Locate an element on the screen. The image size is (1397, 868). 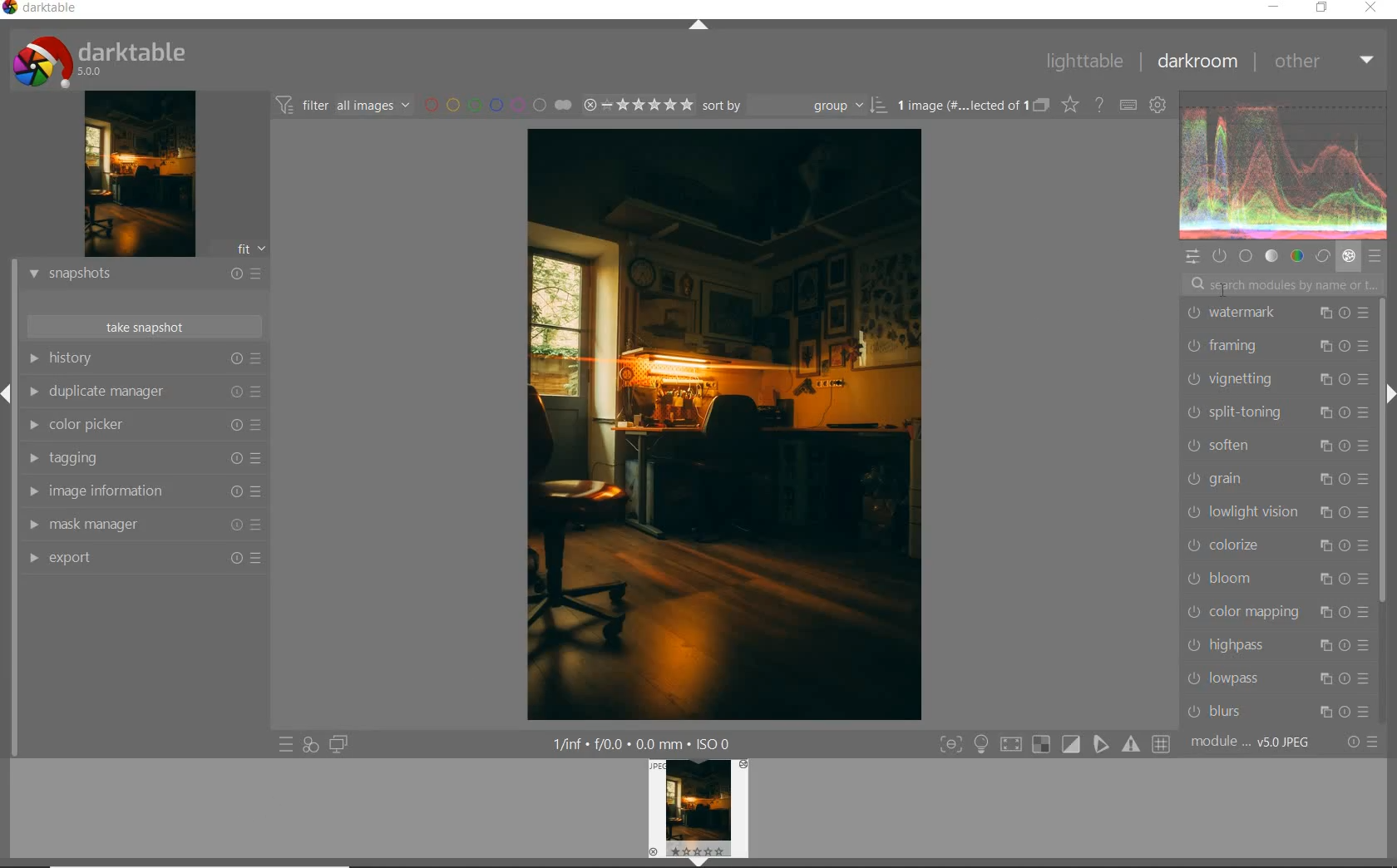
expand grouped images is located at coordinates (972, 106).